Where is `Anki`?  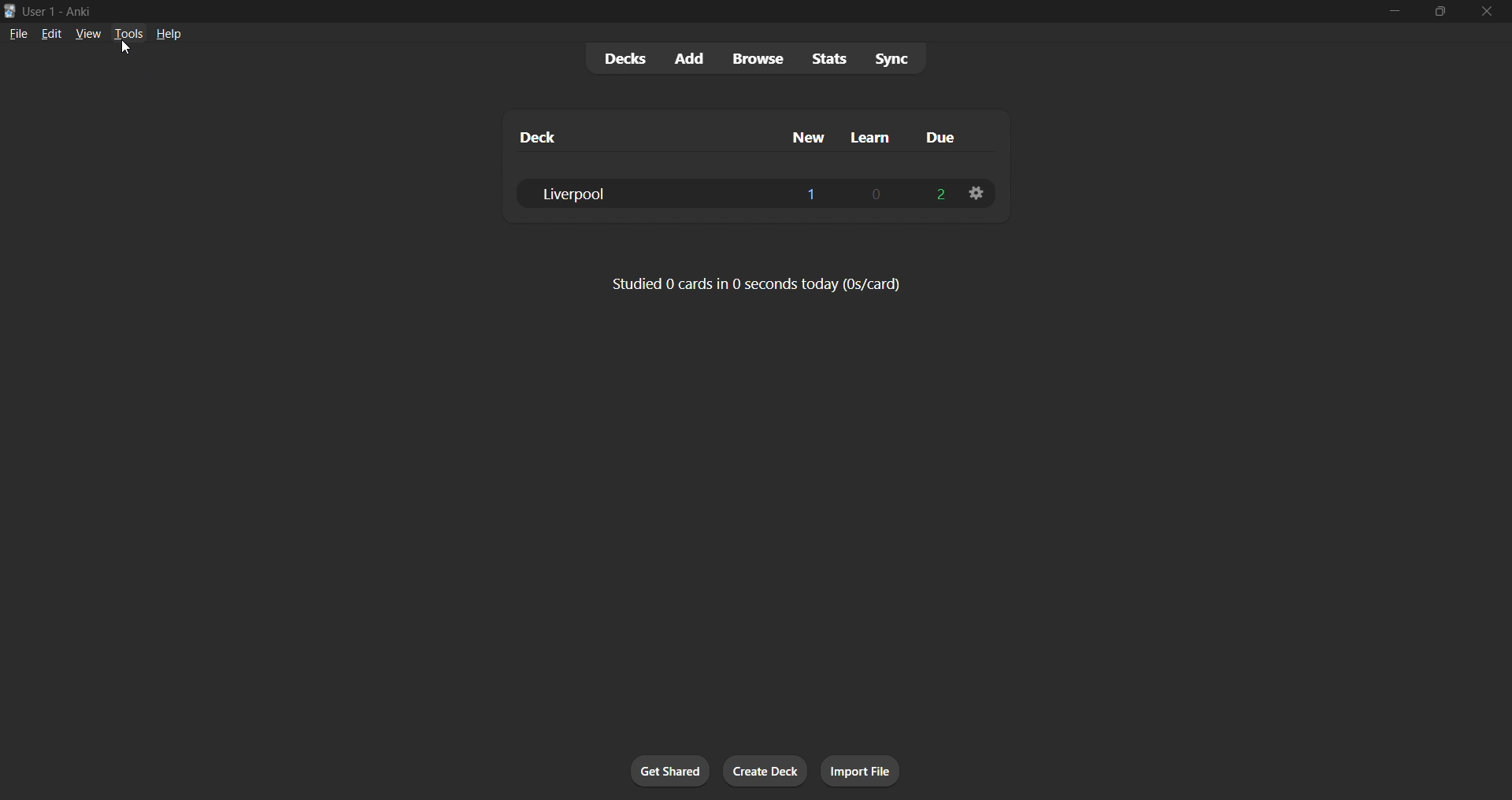
Anki is located at coordinates (78, 9).